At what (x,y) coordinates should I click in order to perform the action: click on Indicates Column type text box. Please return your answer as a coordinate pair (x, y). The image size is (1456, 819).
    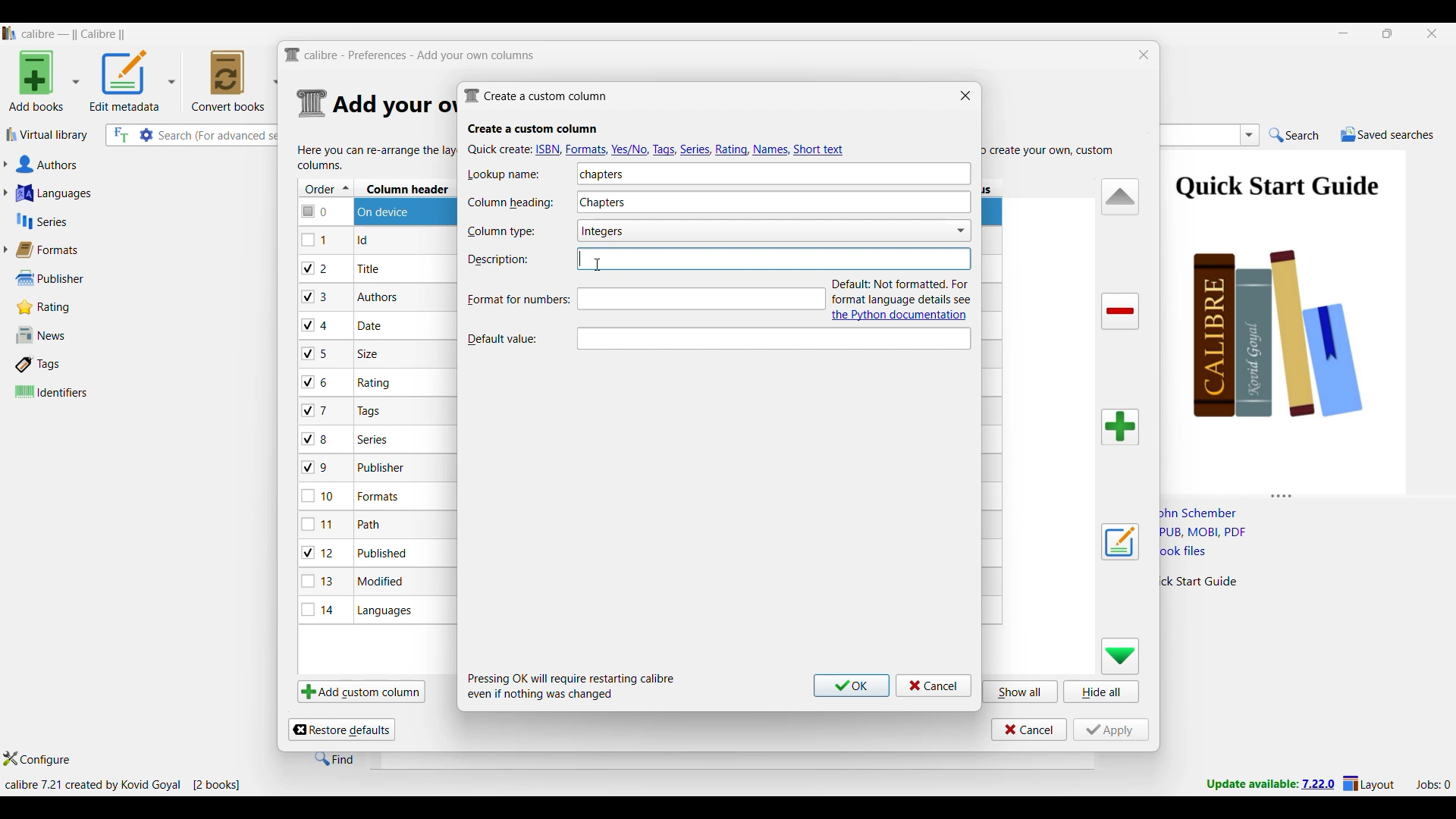
    Looking at the image, I should click on (500, 232).